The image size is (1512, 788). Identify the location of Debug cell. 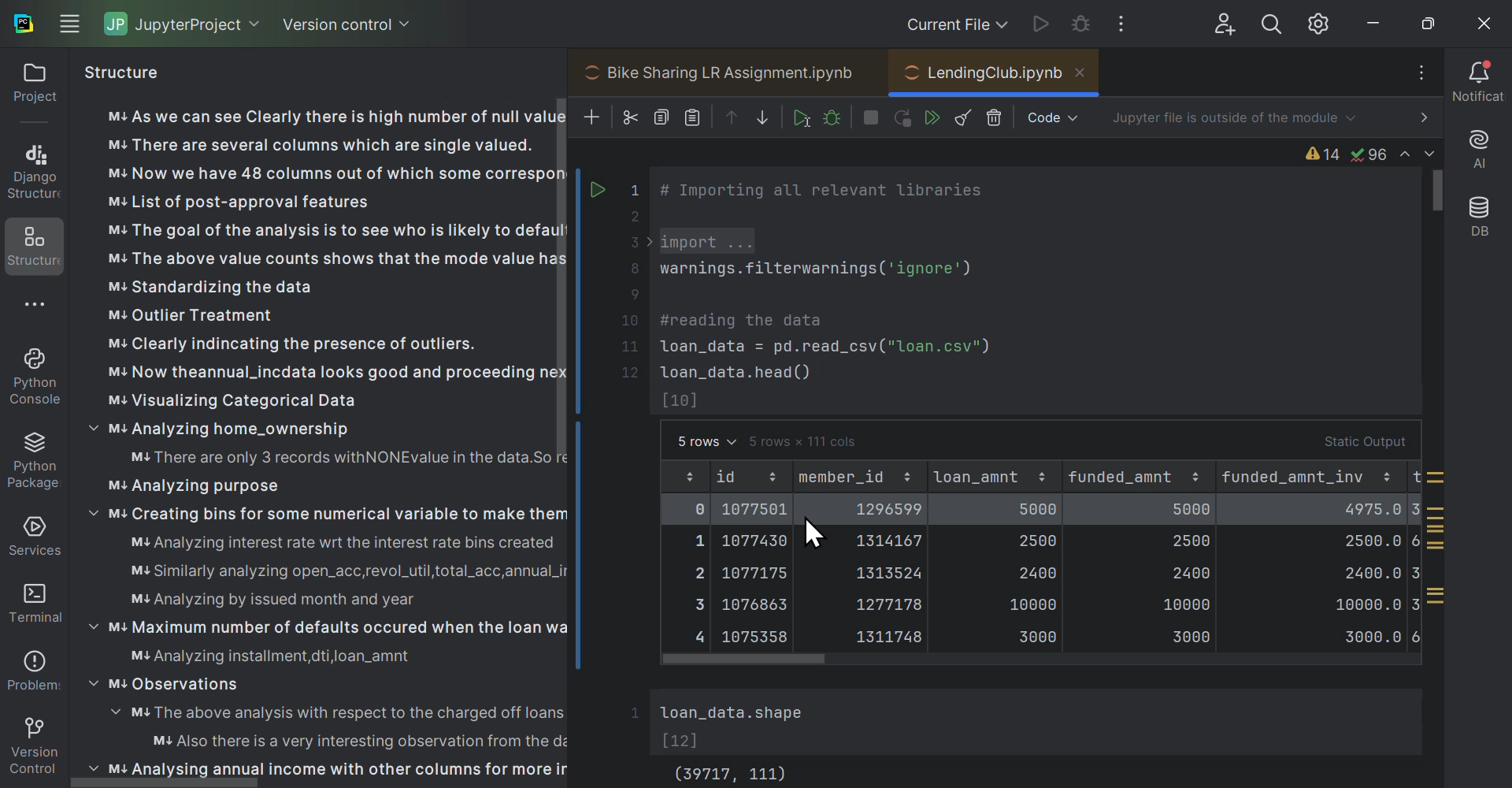
(836, 120).